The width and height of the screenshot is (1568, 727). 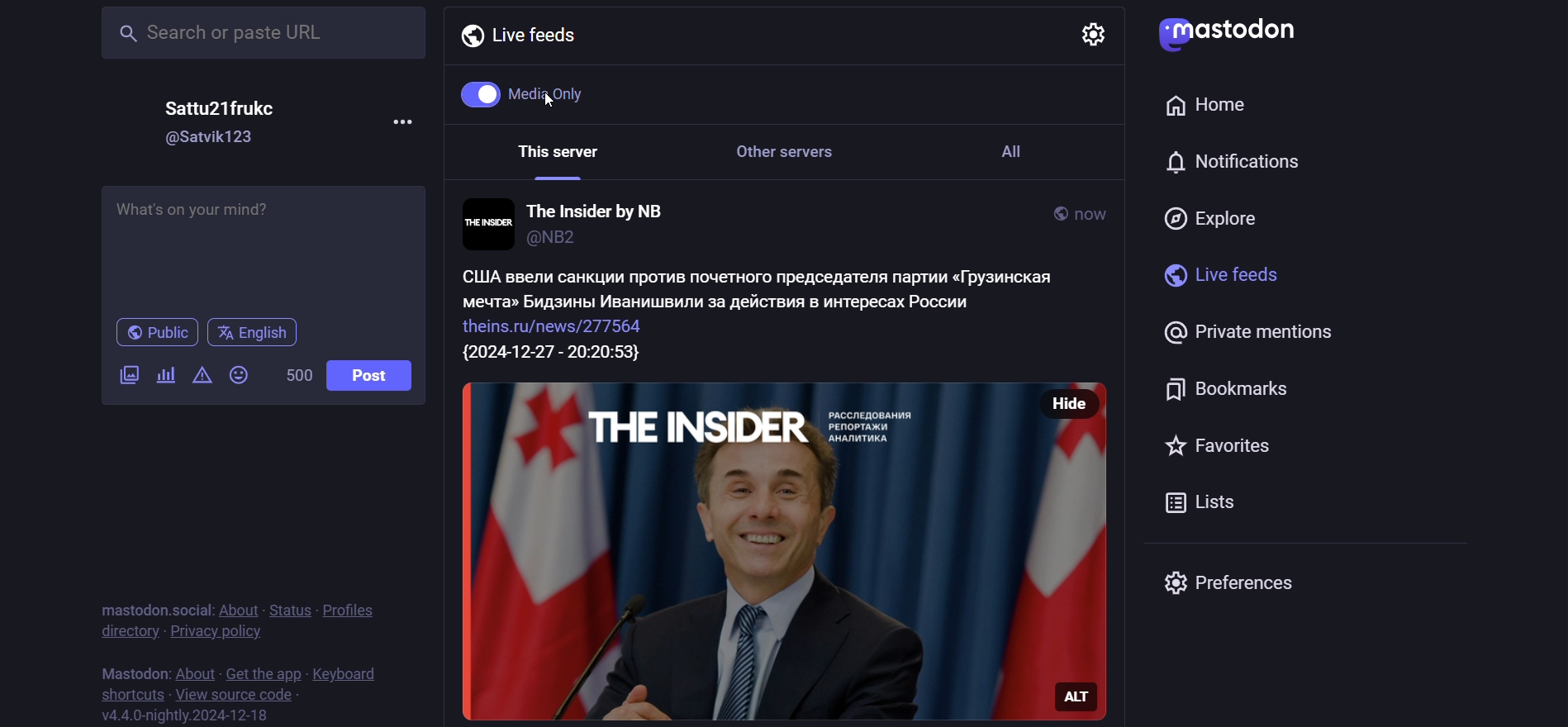 I want to click on alt, so click(x=1083, y=704).